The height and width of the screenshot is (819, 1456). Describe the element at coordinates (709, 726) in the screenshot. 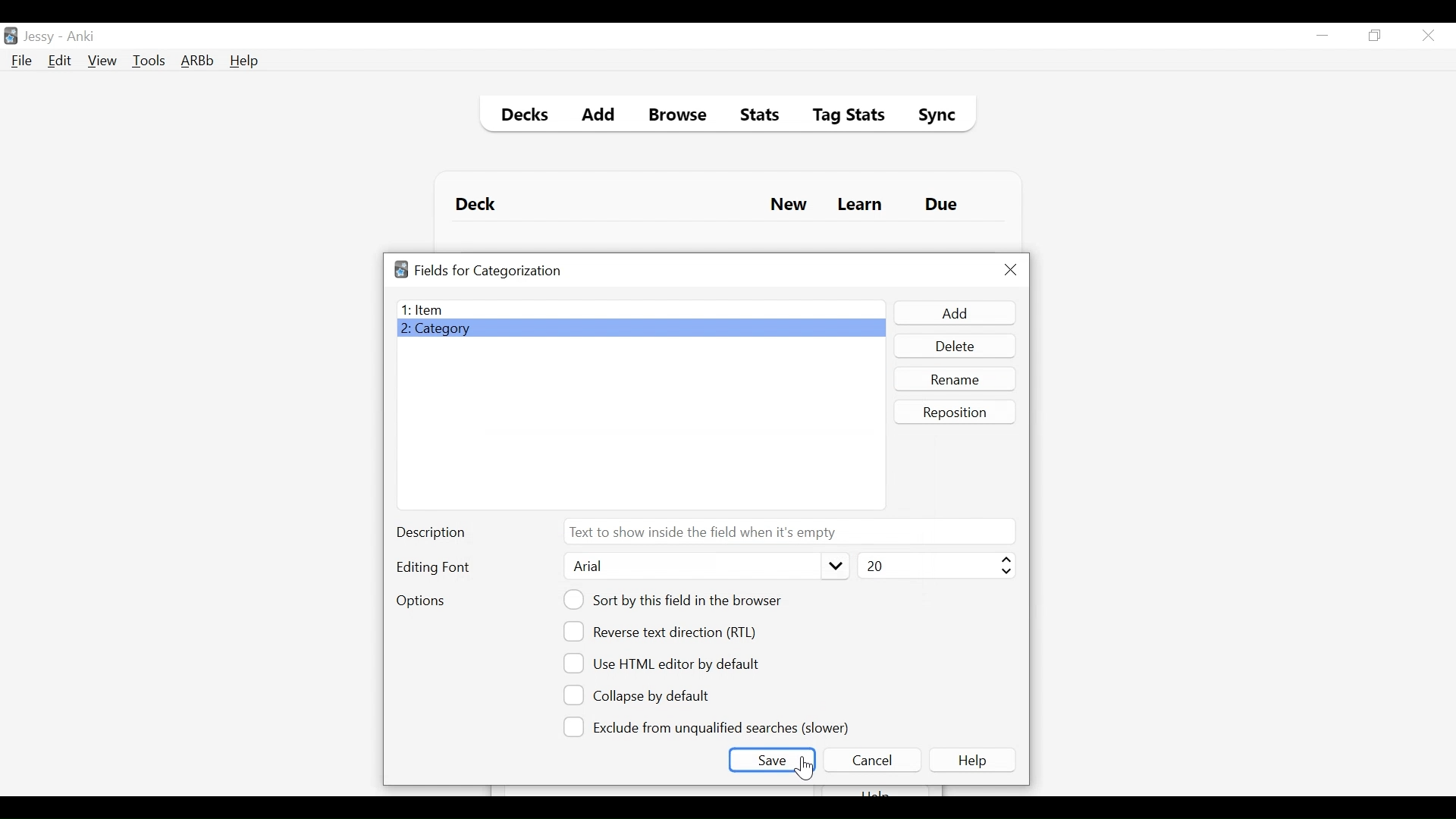

I see `(un)select Exclude from unqualified searches` at that location.